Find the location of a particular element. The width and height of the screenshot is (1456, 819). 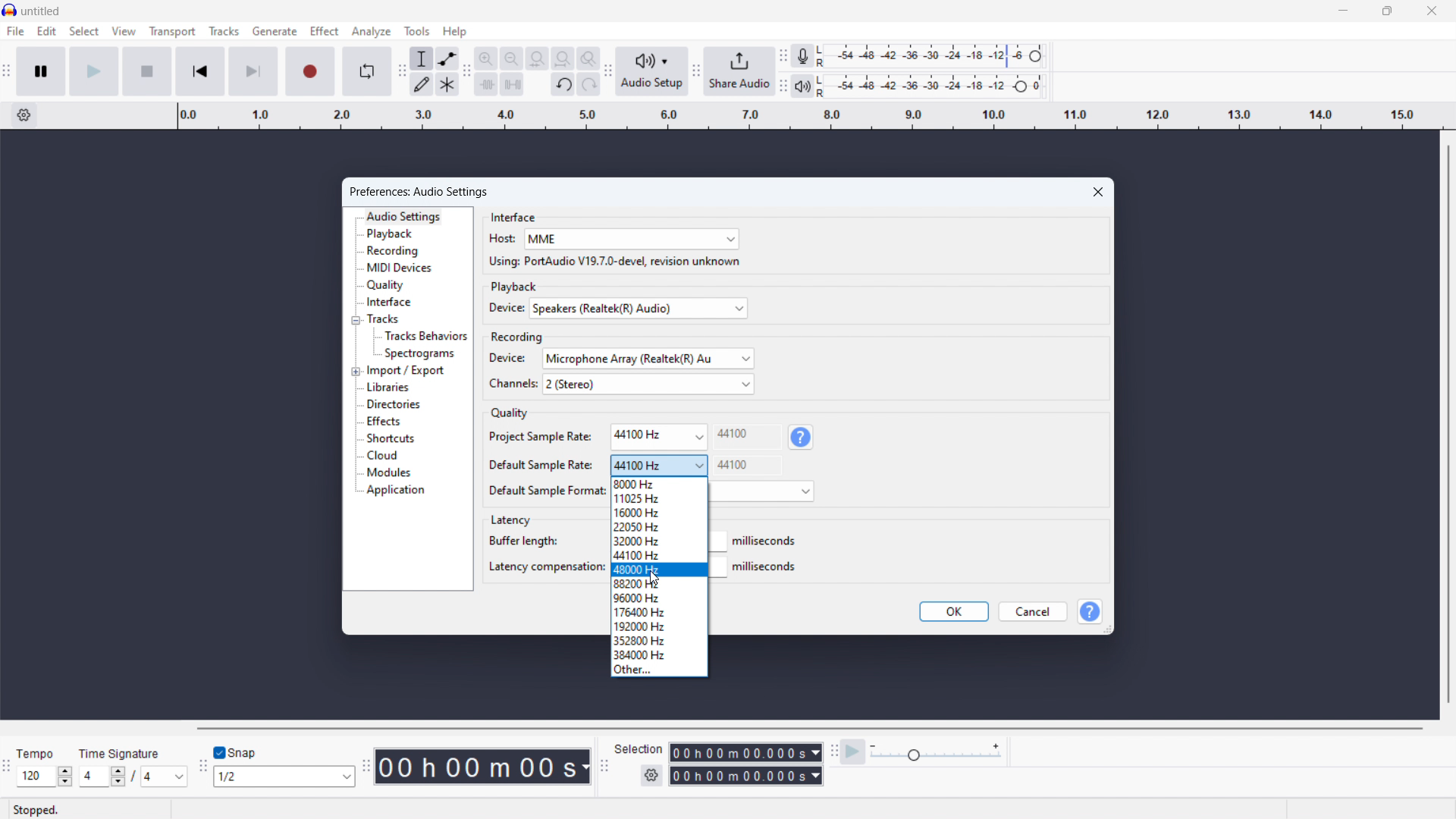

Default sample format is located at coordinates (544, 490).